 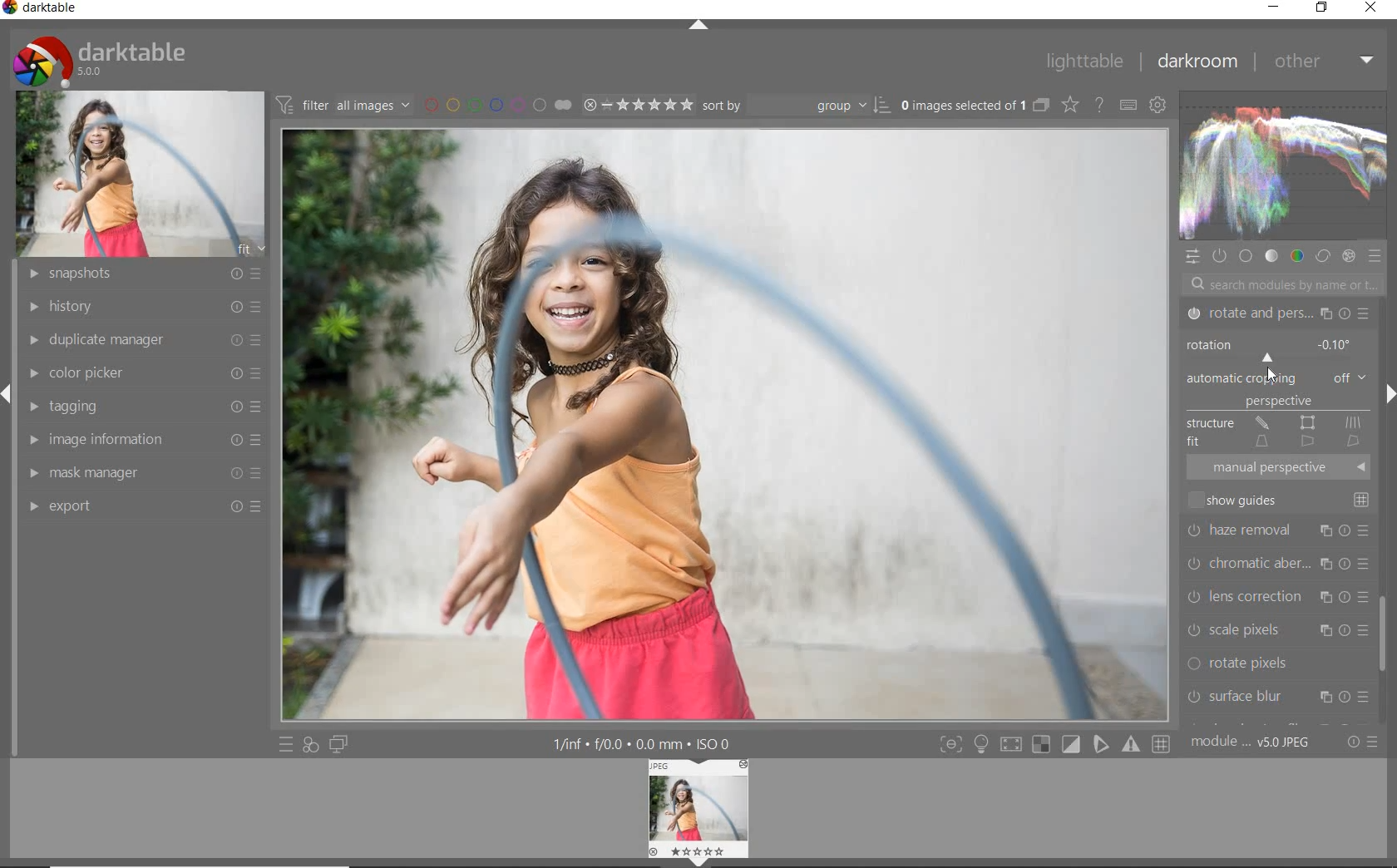 What do you see at coordinates (103, 61) in the screenshot?
I see `system logo & name` at bounding box center [103, 61].